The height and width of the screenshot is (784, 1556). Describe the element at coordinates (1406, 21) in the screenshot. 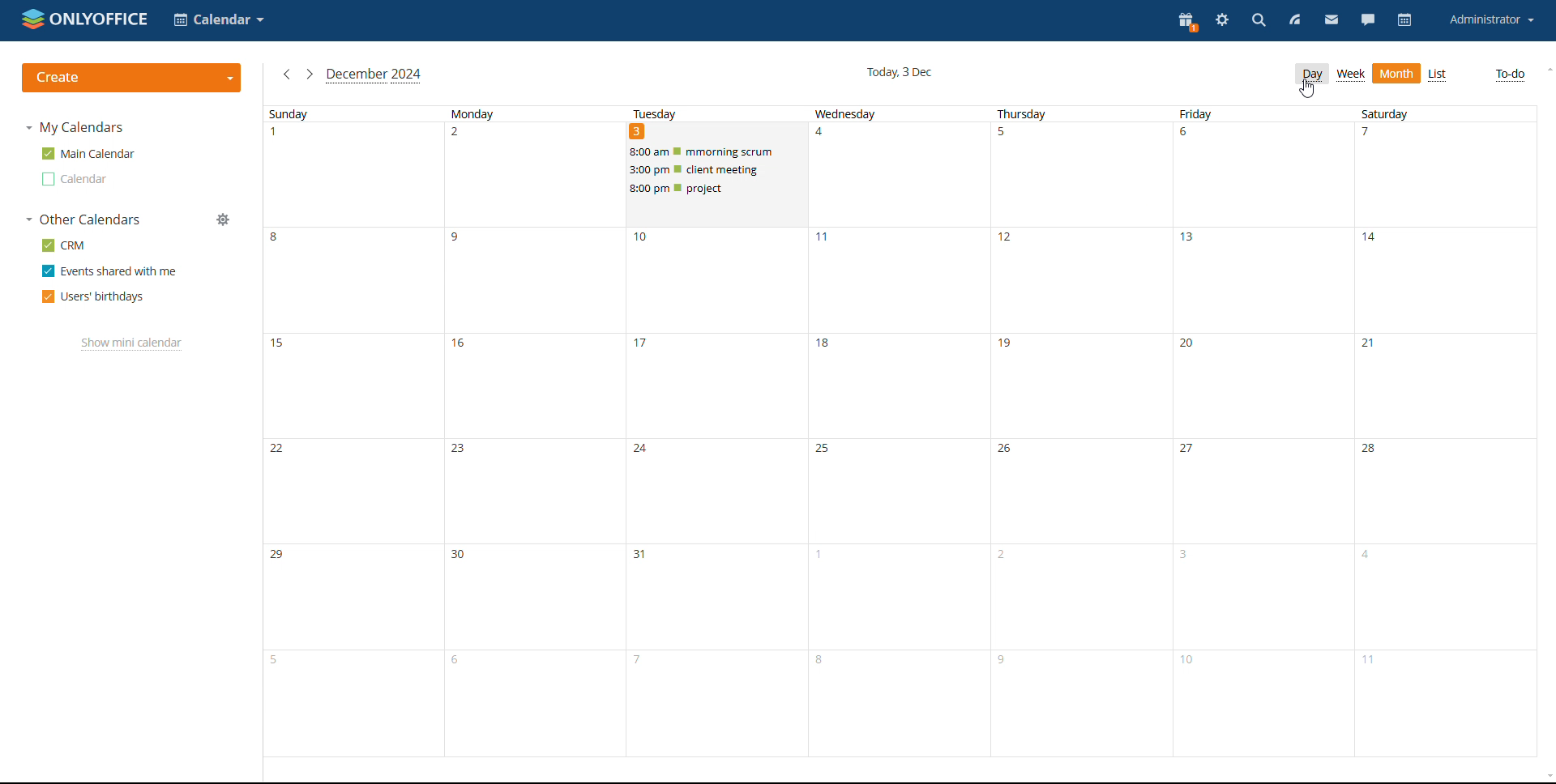

I see `calendar` at that location.